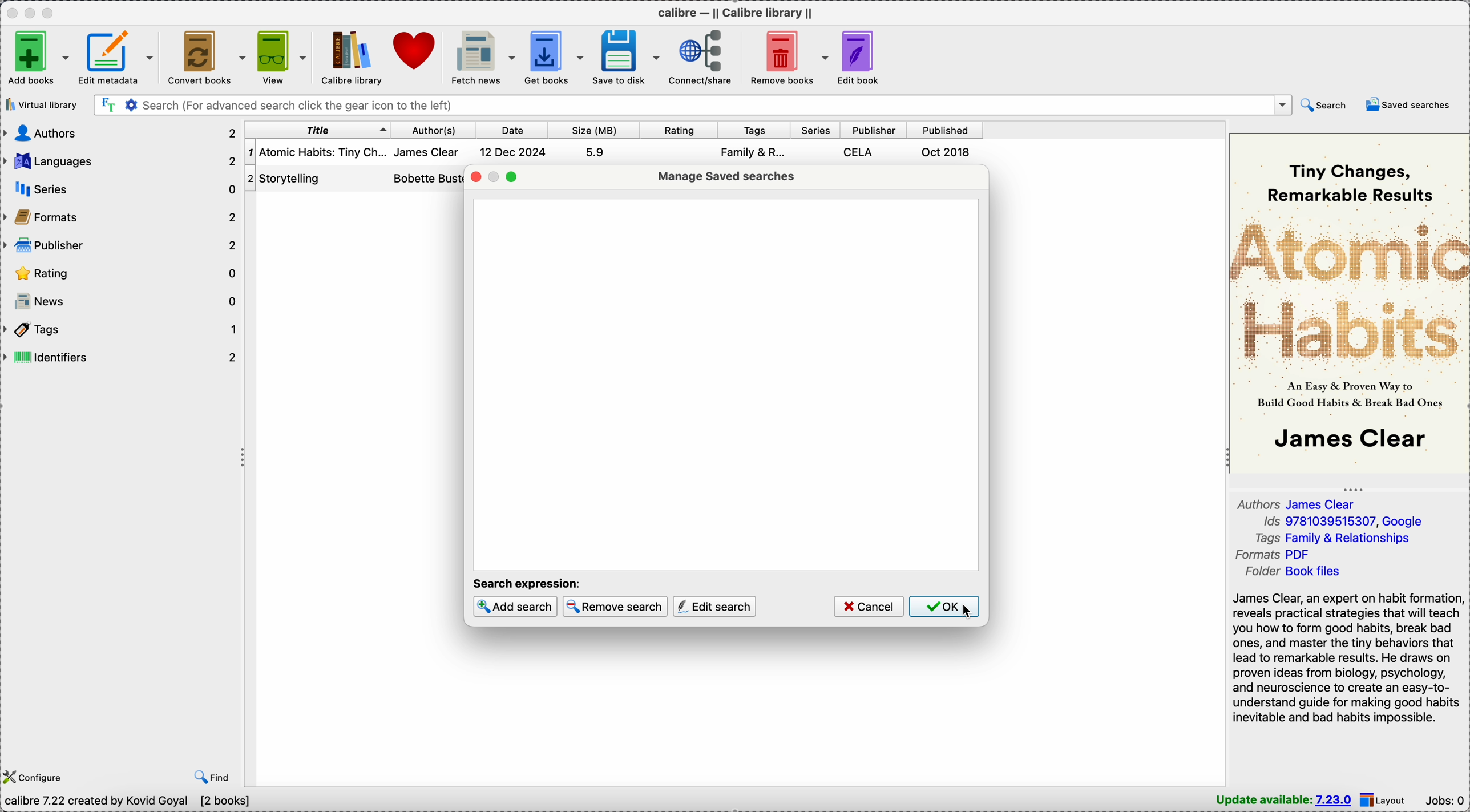 This screenshot has width=1470, height=812. I want to click on drag handle, so click(243, 459).